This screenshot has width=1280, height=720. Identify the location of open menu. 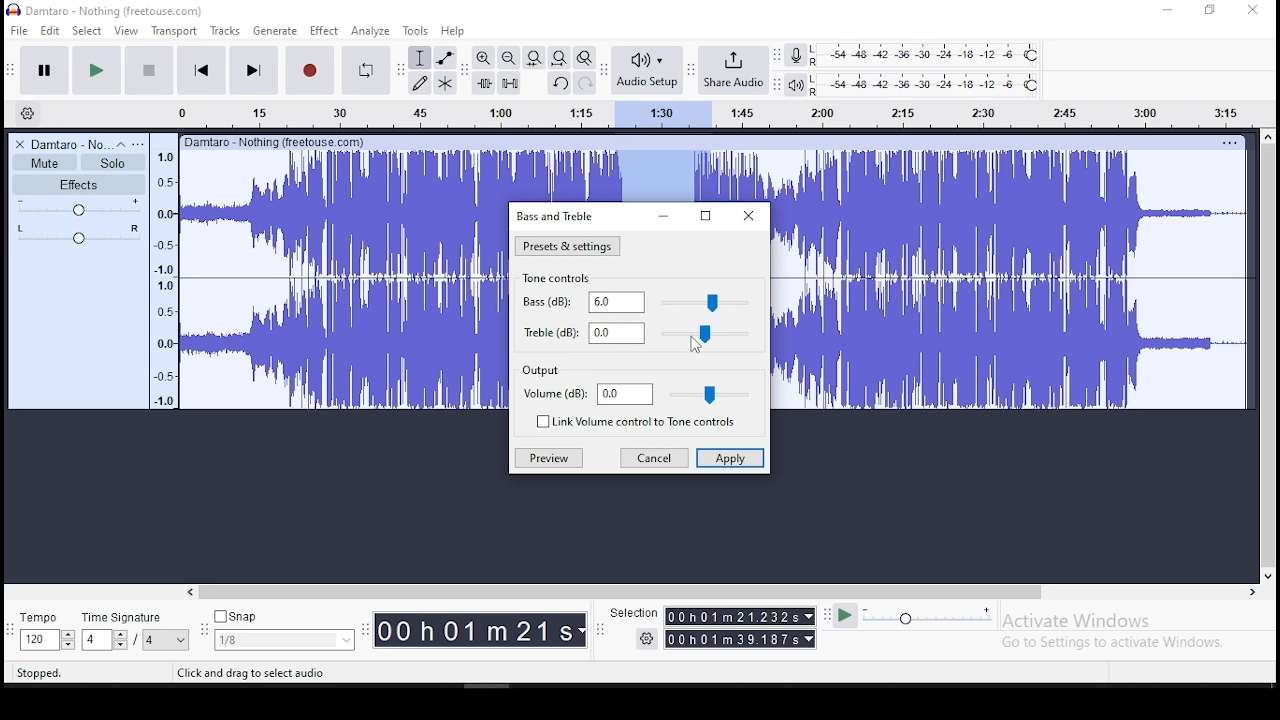
(138, 144).